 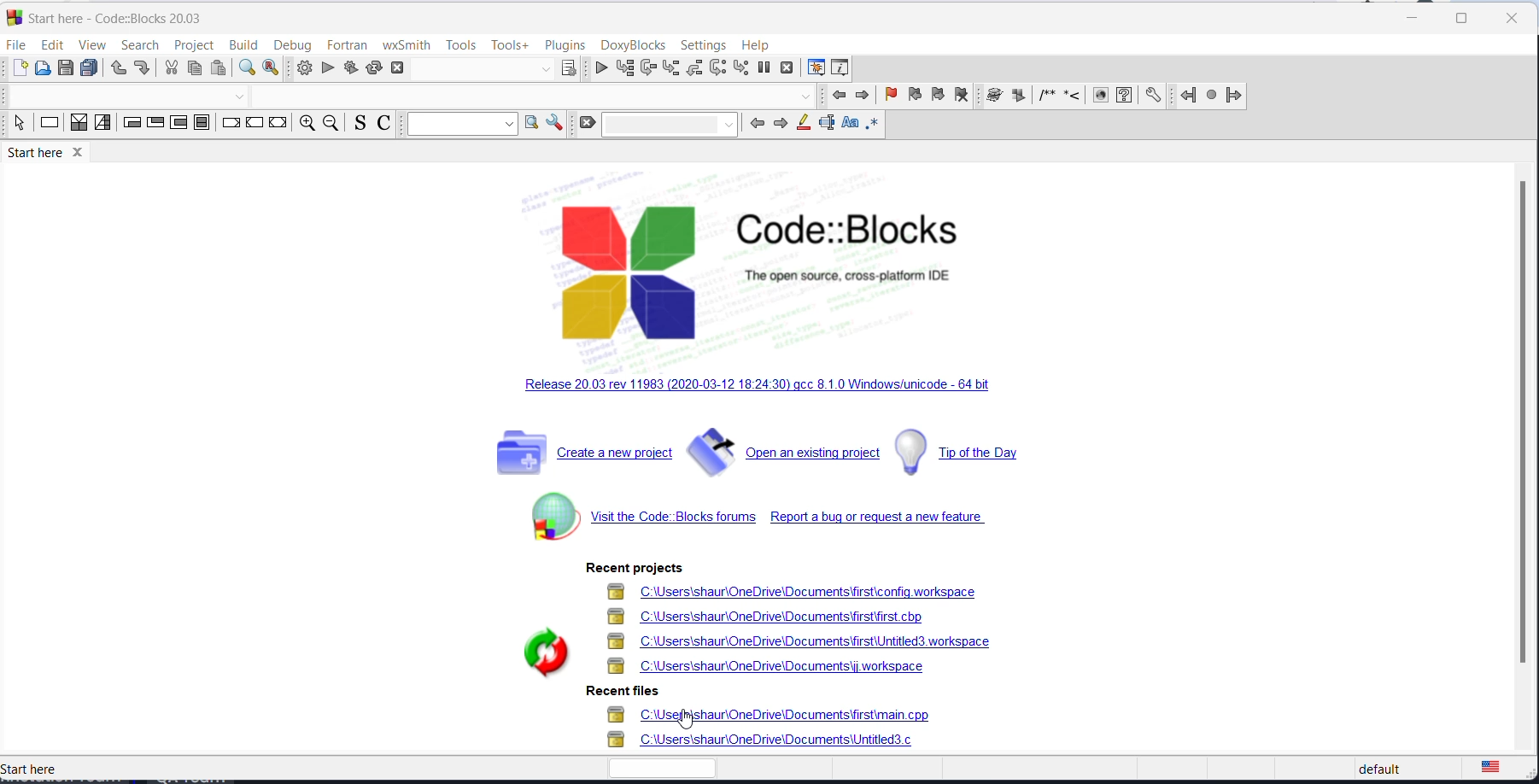 I want to click on match case, so click(x=850, y=125).